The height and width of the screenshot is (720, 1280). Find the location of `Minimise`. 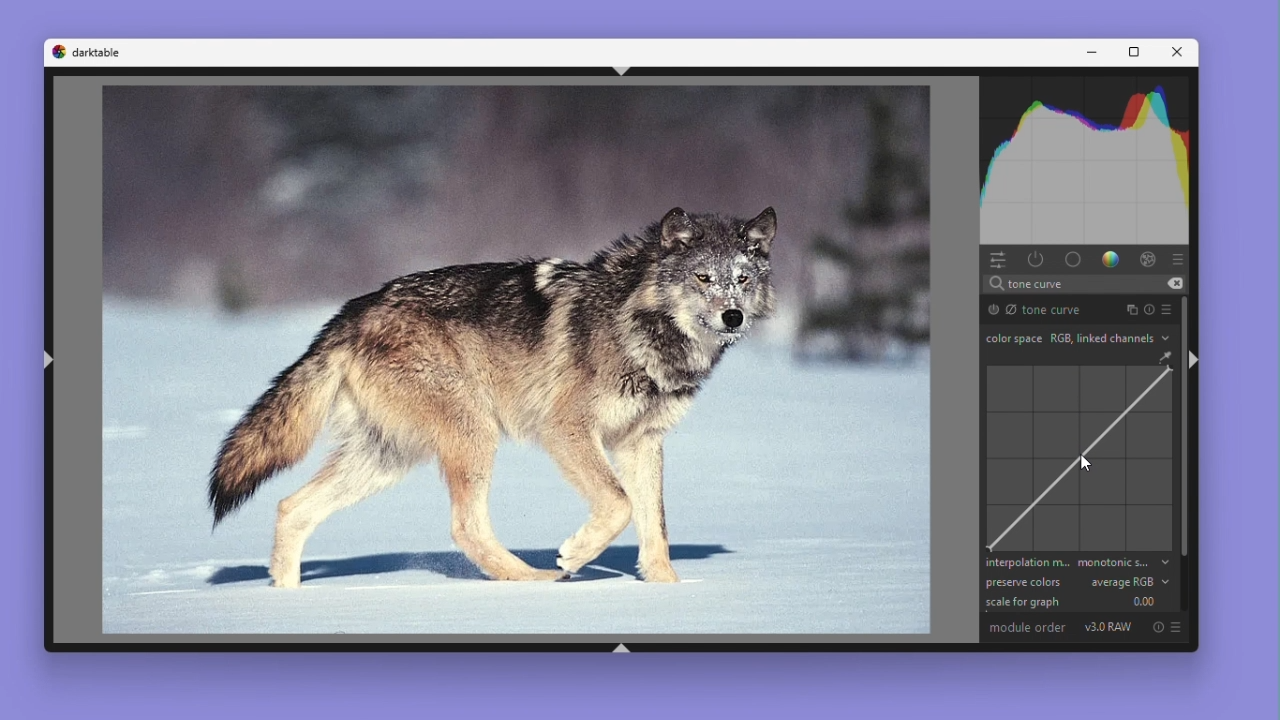

Minimise is located at coordinates (1091, 52).